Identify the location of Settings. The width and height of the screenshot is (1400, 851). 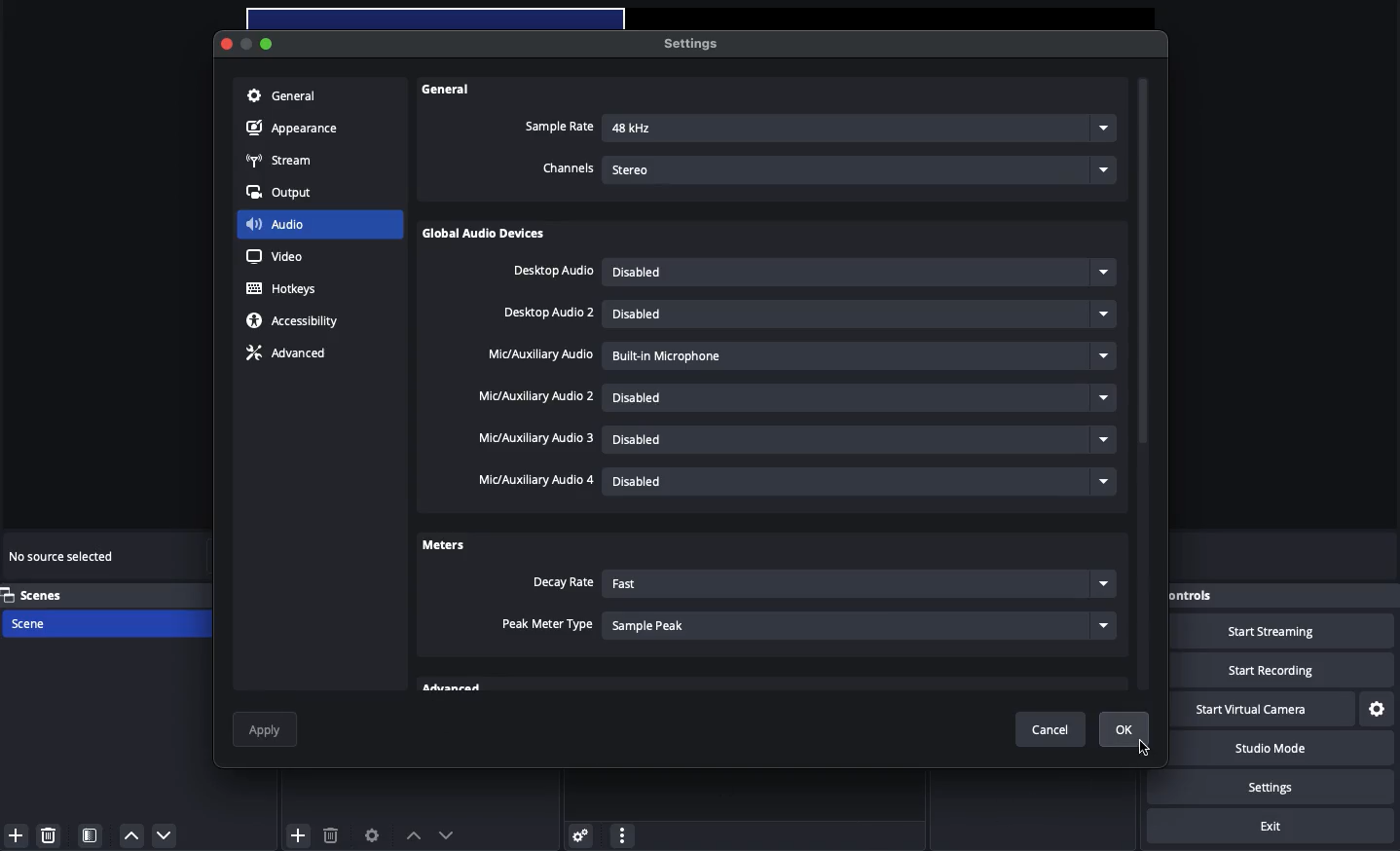
(688, 43).